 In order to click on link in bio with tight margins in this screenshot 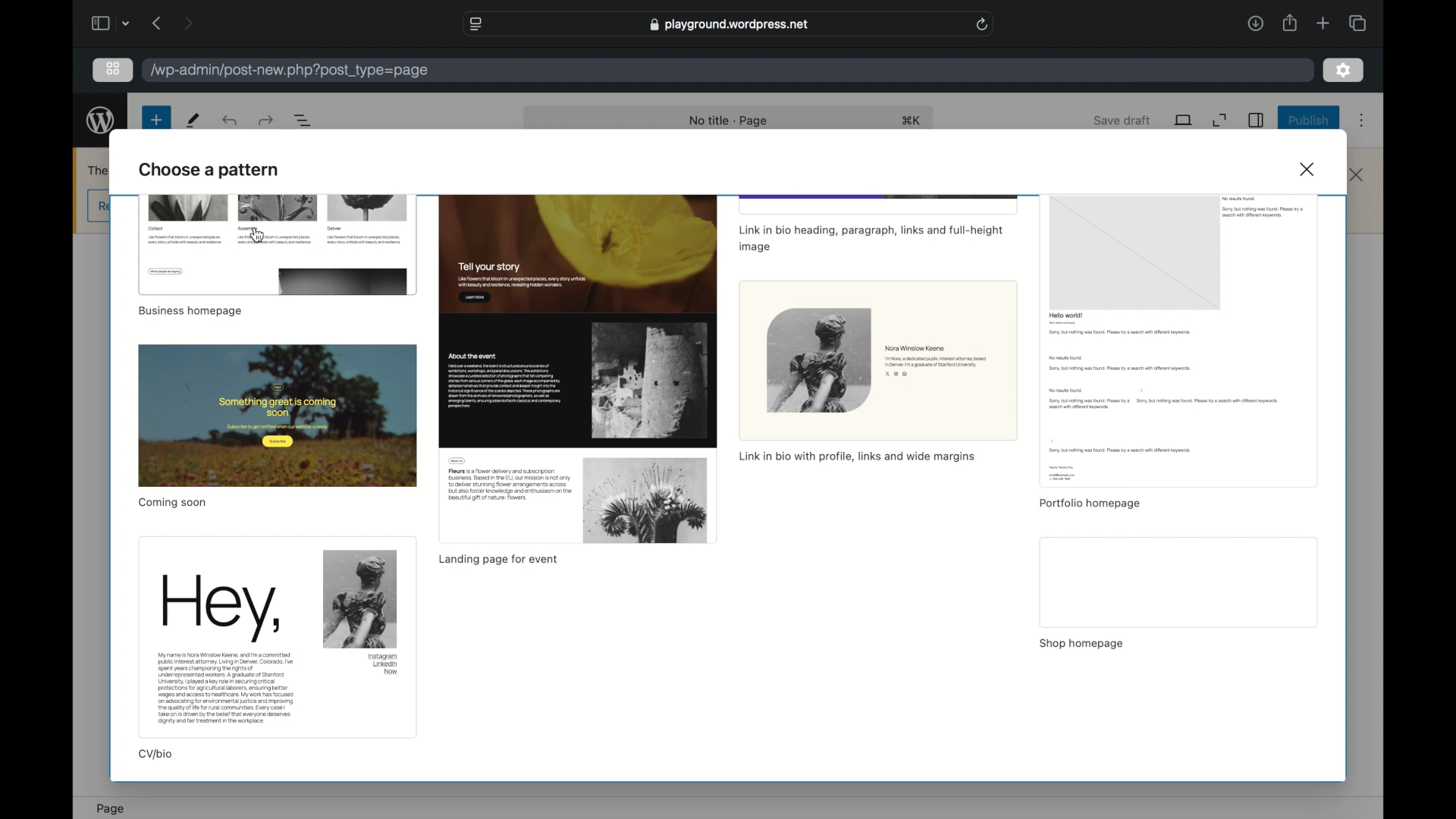, I will do `click(857, 457)`.